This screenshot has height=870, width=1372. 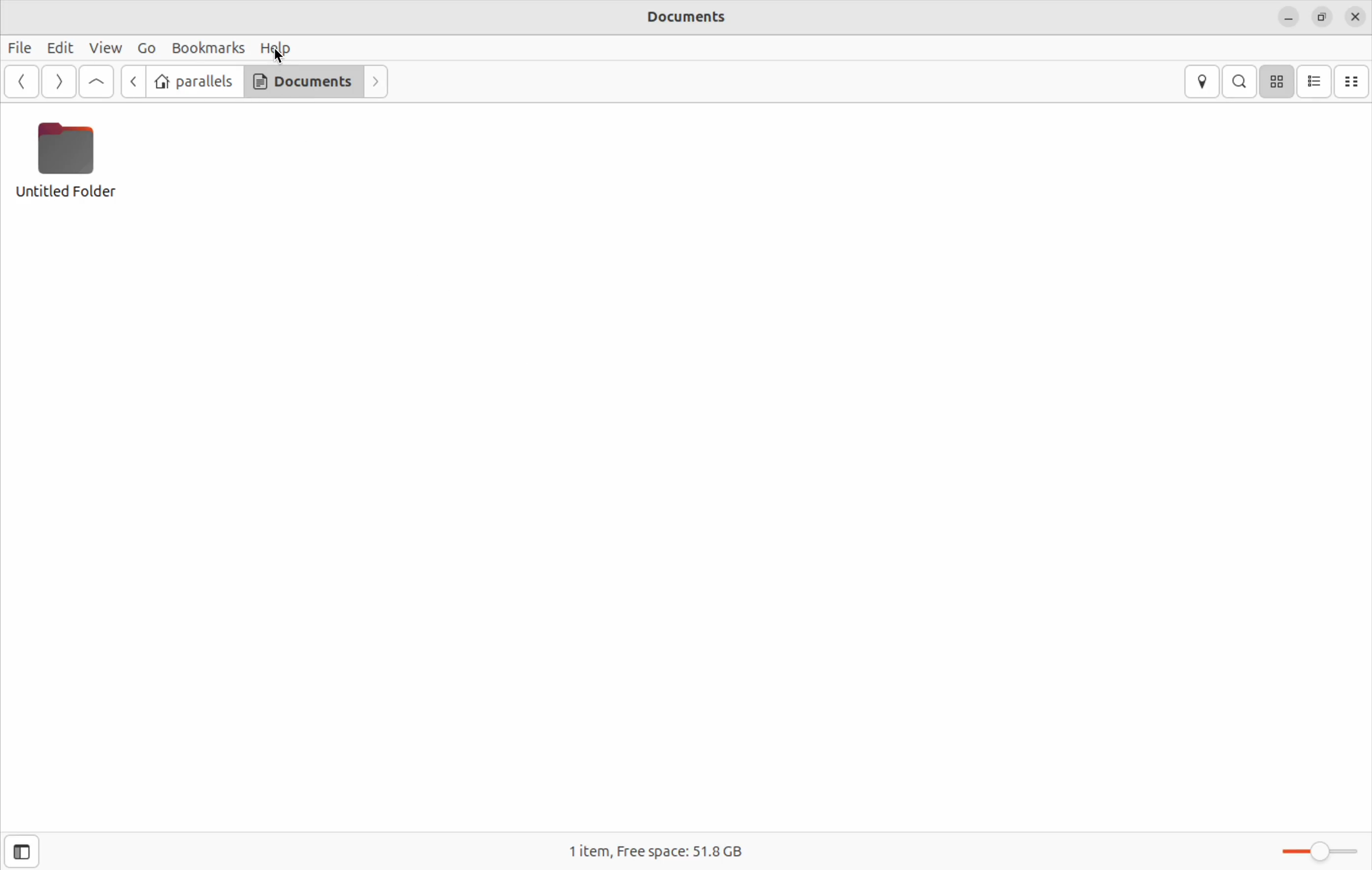 I want to click on resize, so click(x=1324, y=15).